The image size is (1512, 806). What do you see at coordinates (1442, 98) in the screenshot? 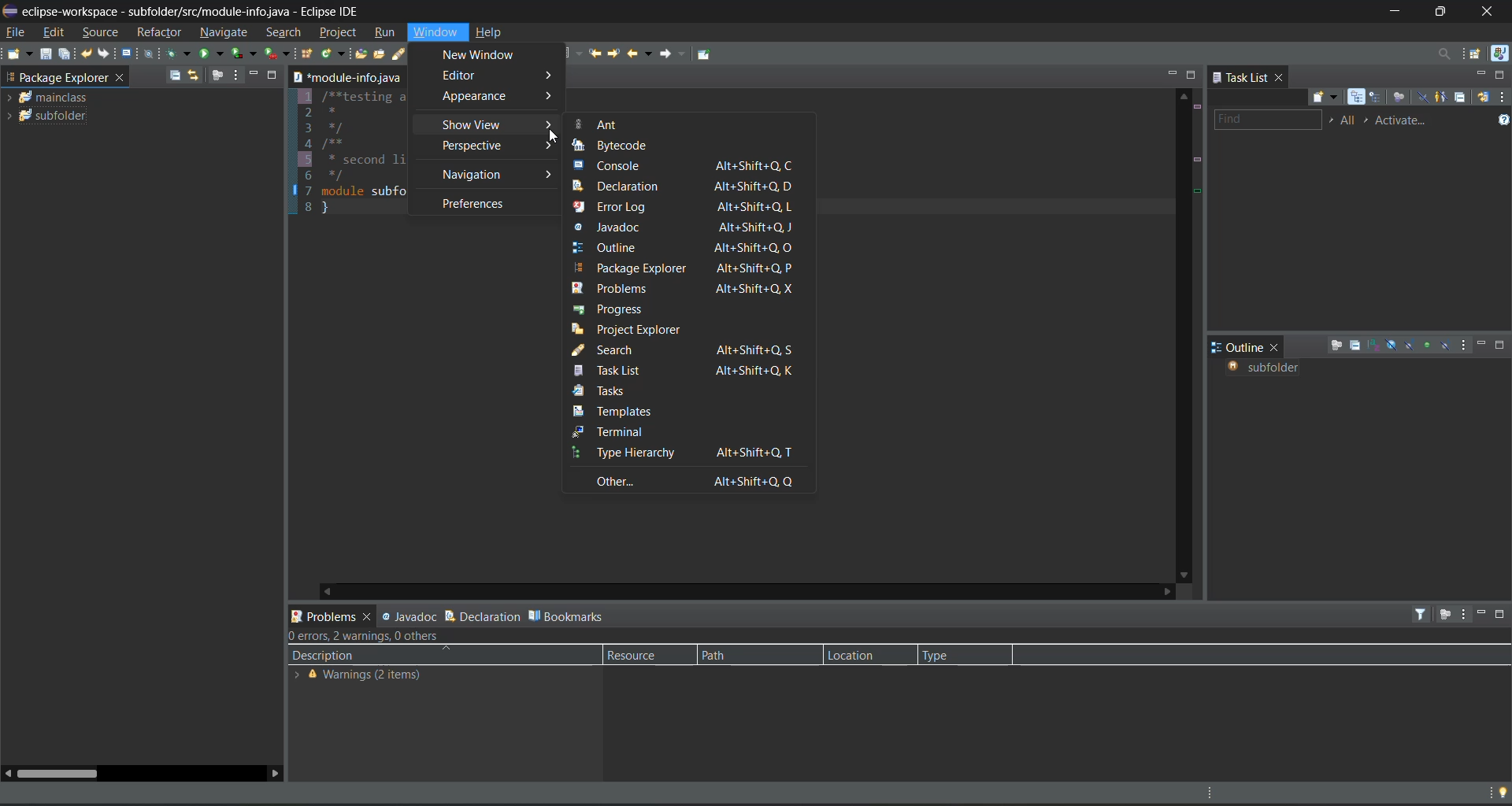
I see `show only my tasks` at bounding box center [1442, 98].